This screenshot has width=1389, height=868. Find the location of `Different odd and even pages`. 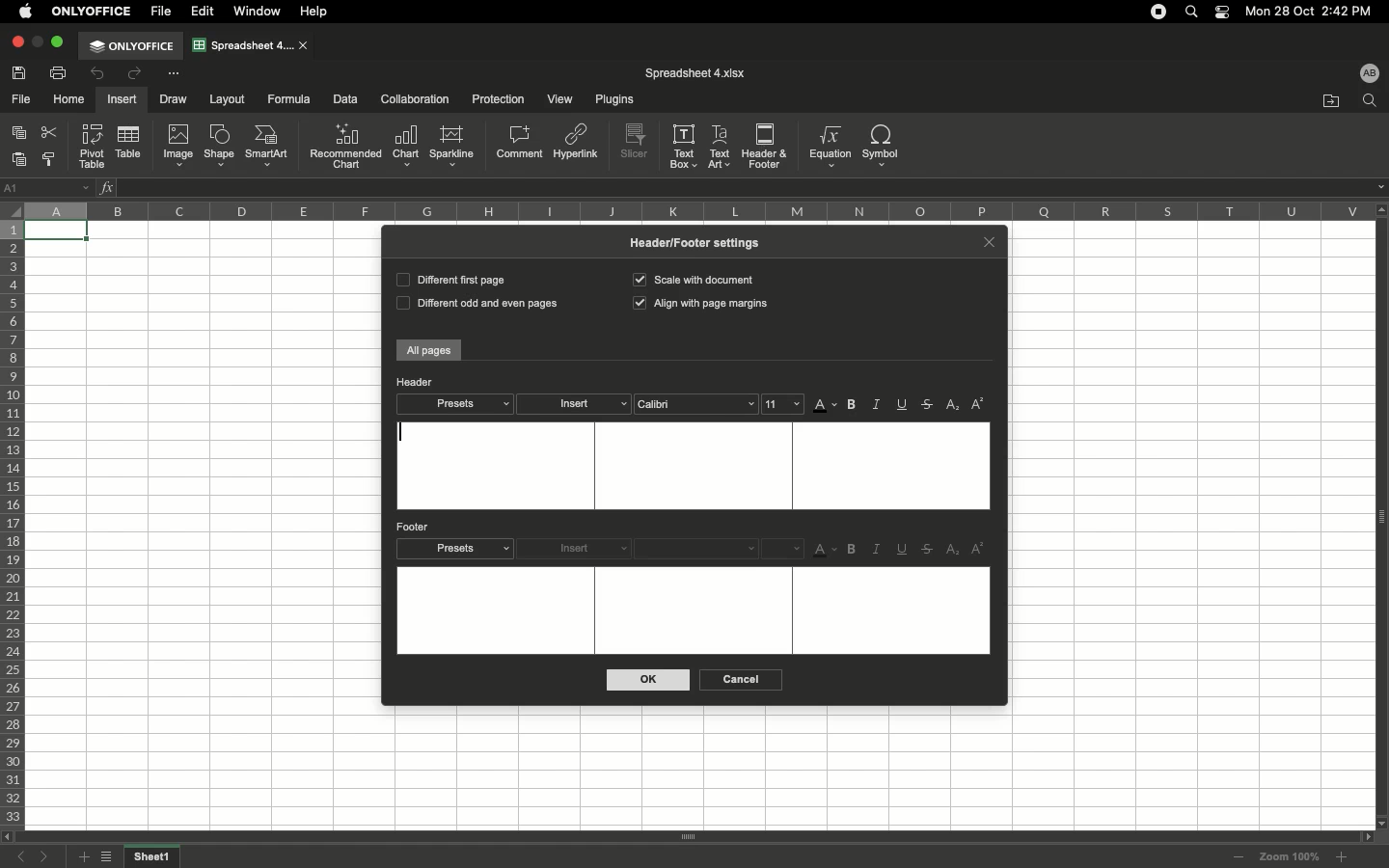

Different odd and even pages is located at coordinates (474, 305).